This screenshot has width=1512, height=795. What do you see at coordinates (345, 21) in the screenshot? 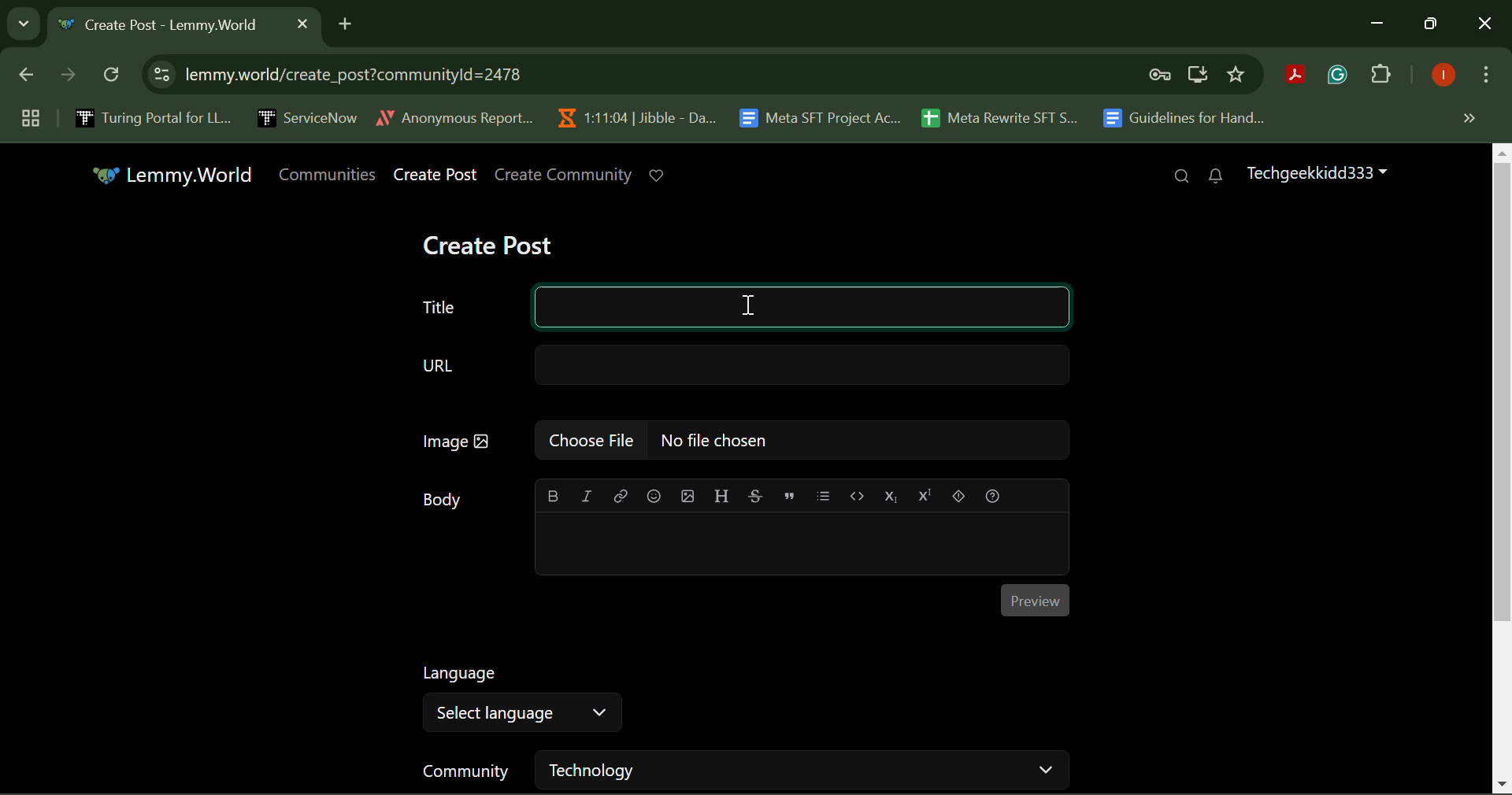
I see `Add Tab` at bounding box center [345, 21].